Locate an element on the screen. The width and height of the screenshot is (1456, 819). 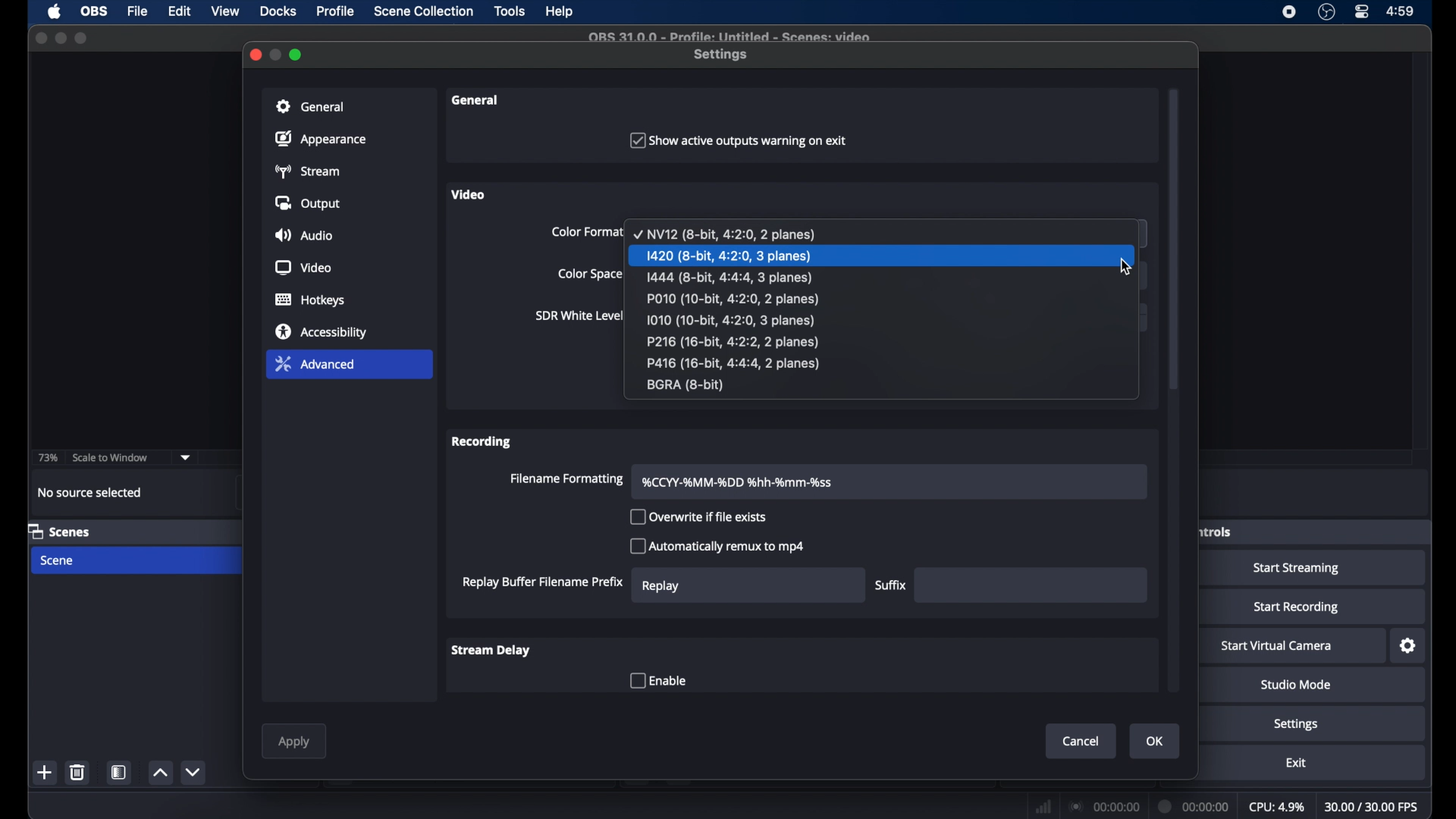
replay buffer filename prefix is located at coordinates (541, 582).